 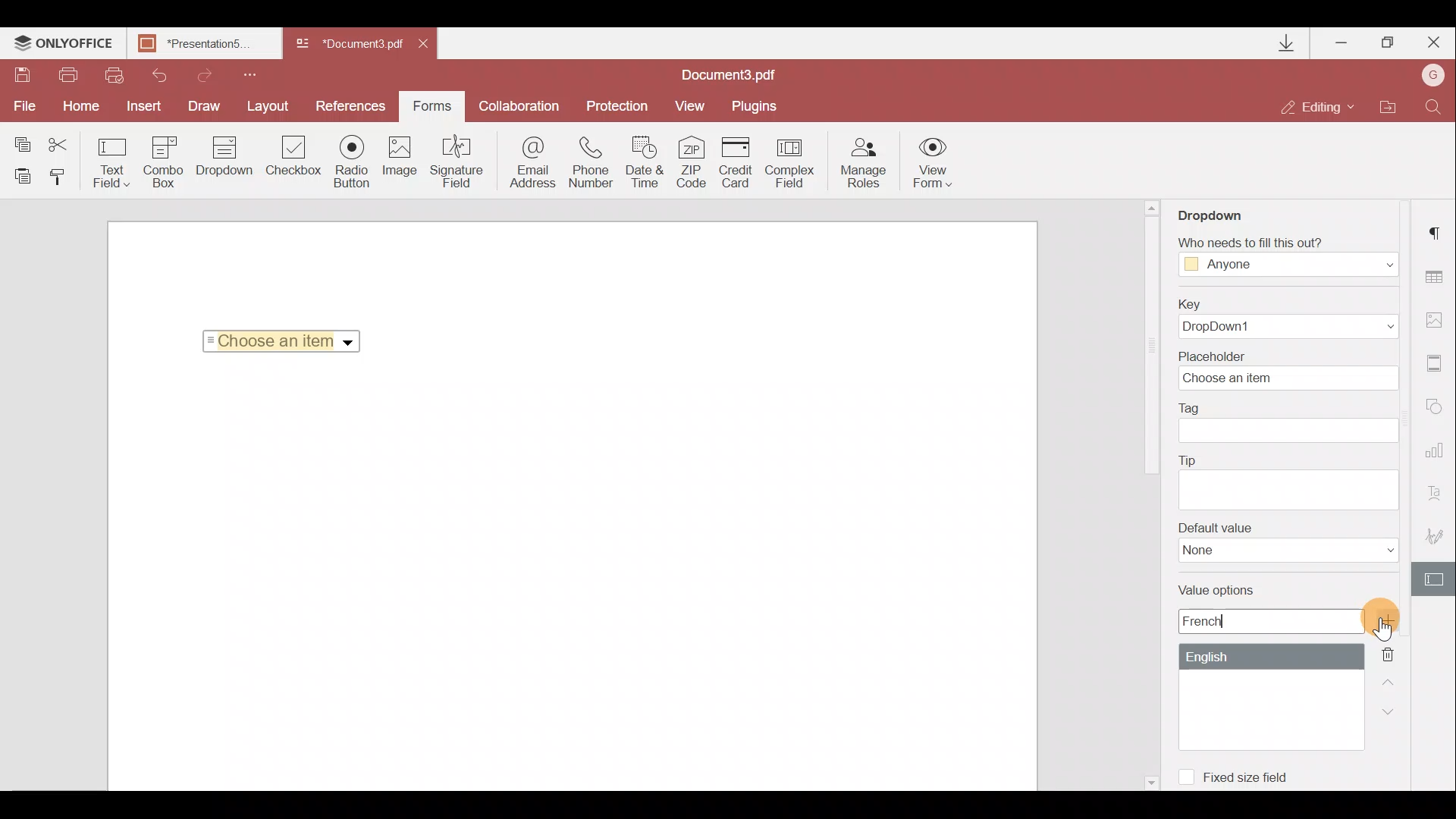 What do you see at coordinates (1288, 252) in the screenshot?
I see `Who needs to fill this out?` at bounding box center [1288, 252].